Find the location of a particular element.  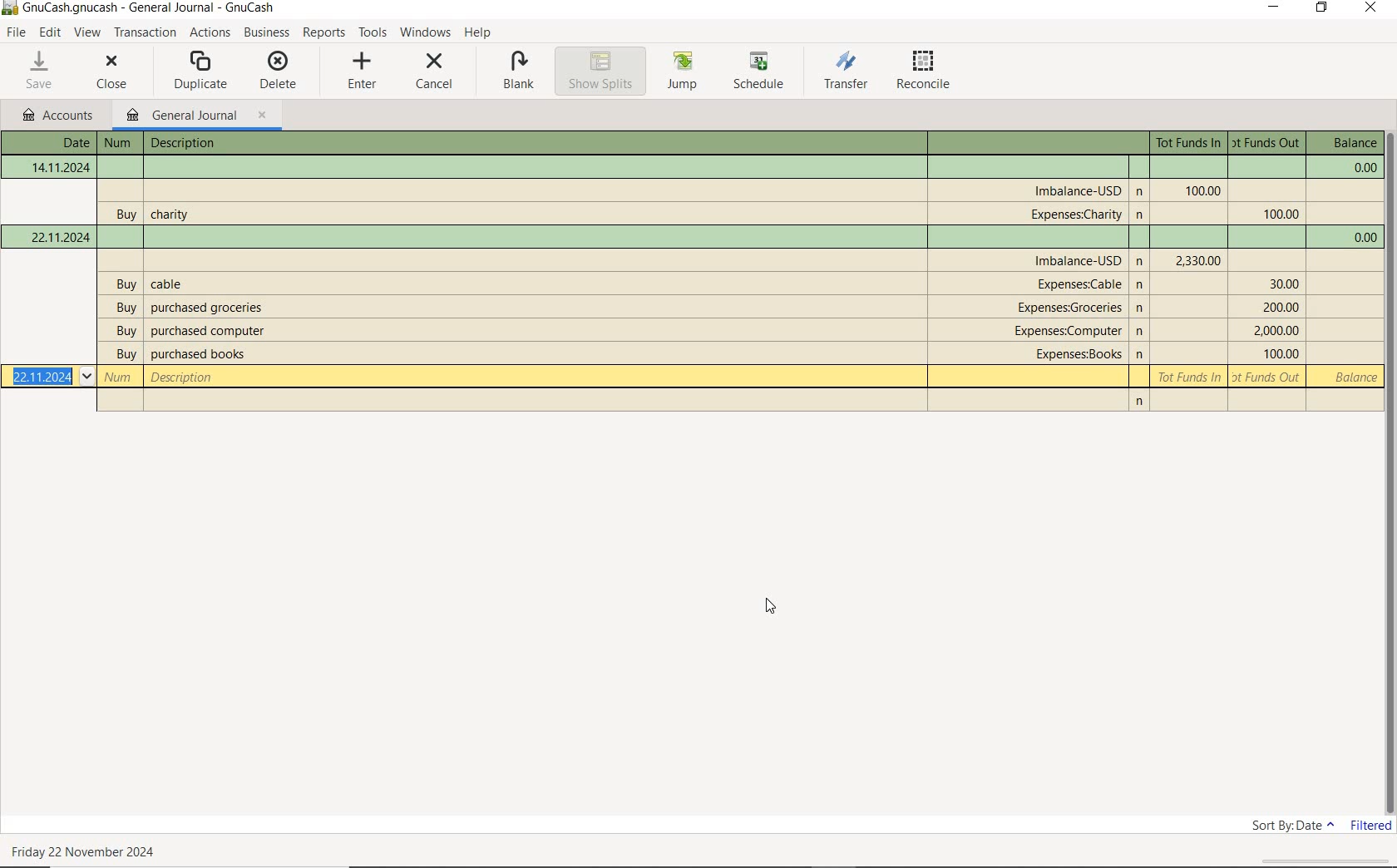

Tot Funds Out is located at coordinates (1281, 215).